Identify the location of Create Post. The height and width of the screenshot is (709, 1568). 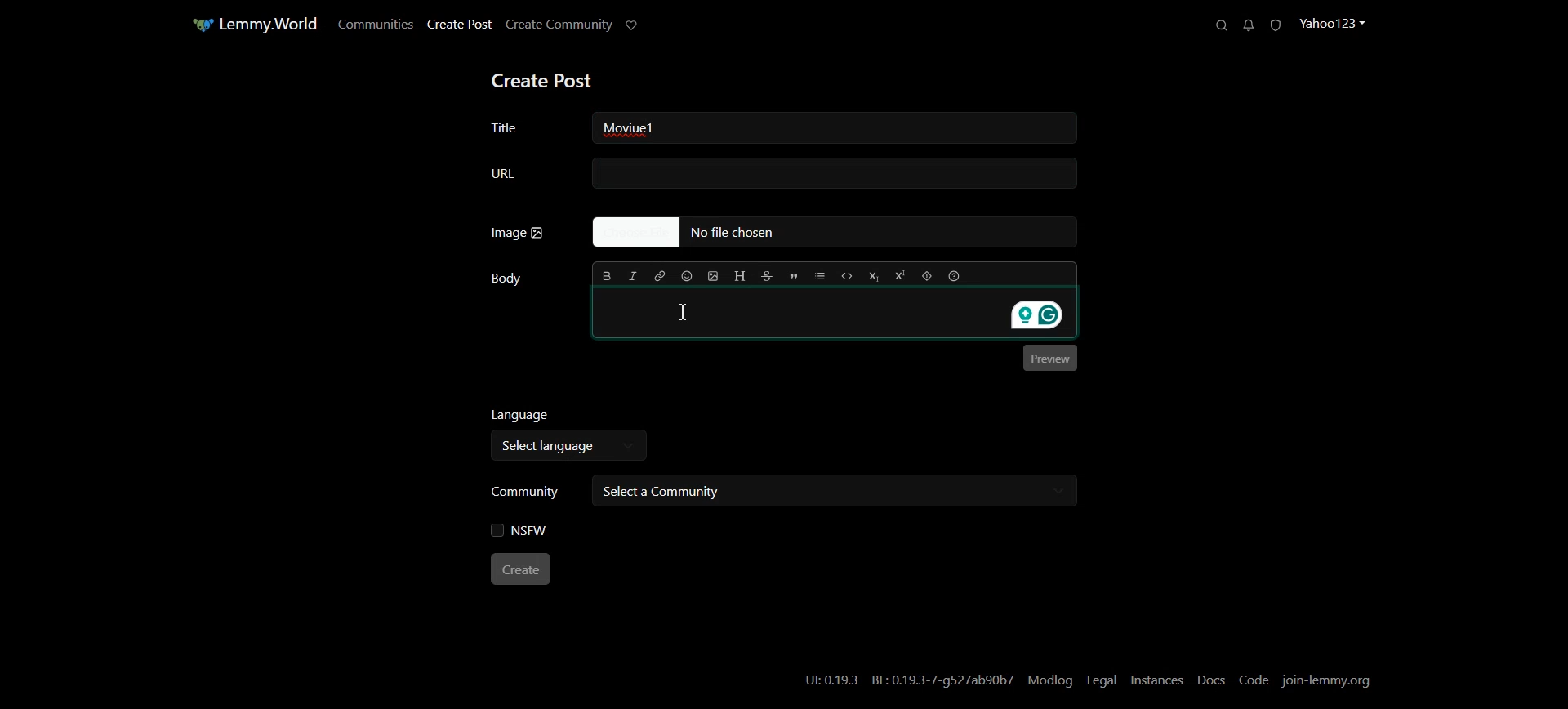
(458, 25).